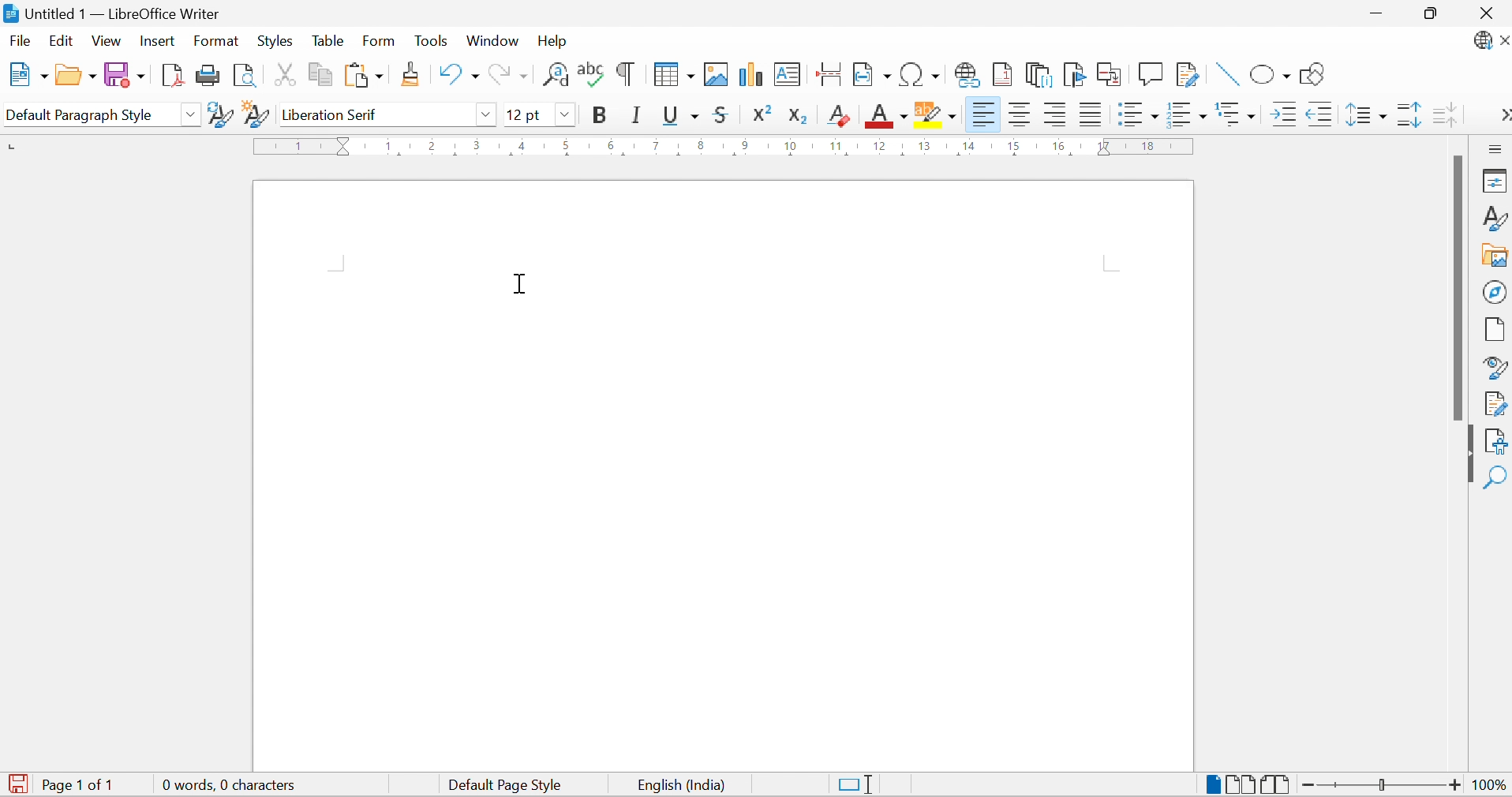 Image resolution: width=1512 pixels, height=797 pixels. Describe the element at coordinates (231, 784) in the screenshot. I see `0 words, 0 characters` at that location.